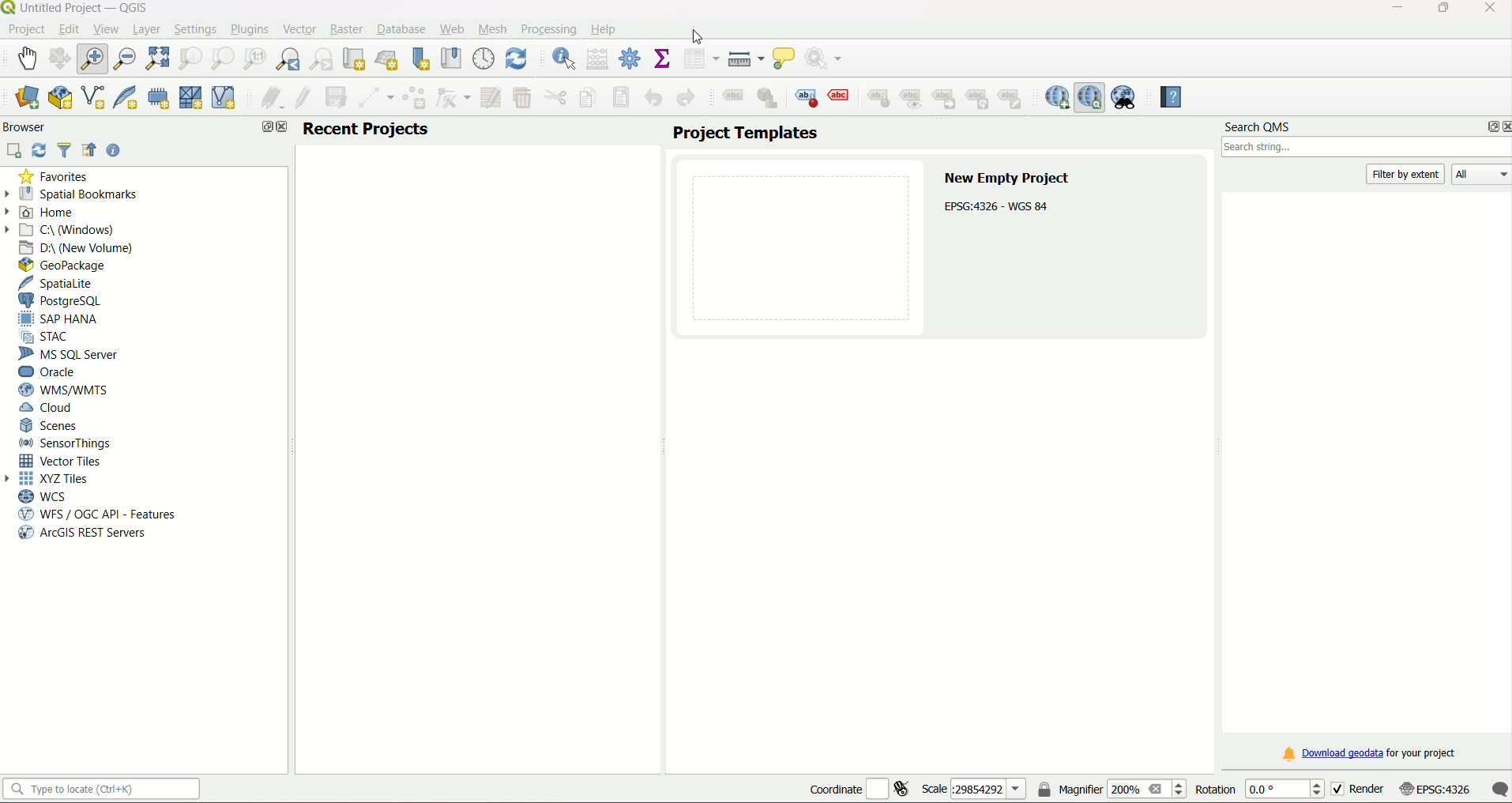 This screenshot has height=803, width=1512. I want to click on close, so click(282, 128).